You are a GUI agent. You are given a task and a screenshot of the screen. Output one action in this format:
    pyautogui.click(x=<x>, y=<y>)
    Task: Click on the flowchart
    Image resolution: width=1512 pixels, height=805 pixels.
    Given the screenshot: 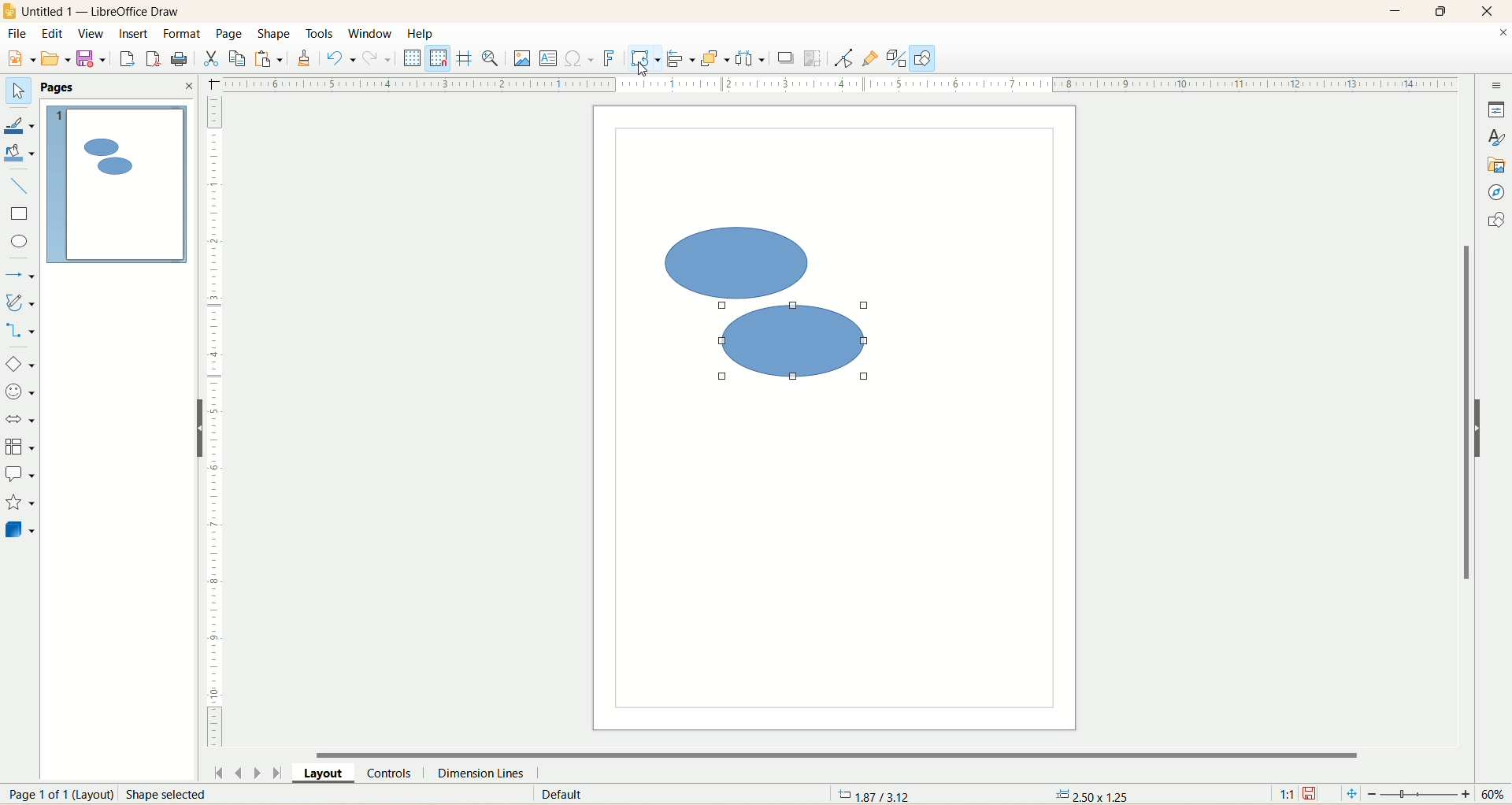 What is the action you would take?
    pyautogui.click(x=20, y=445)
    